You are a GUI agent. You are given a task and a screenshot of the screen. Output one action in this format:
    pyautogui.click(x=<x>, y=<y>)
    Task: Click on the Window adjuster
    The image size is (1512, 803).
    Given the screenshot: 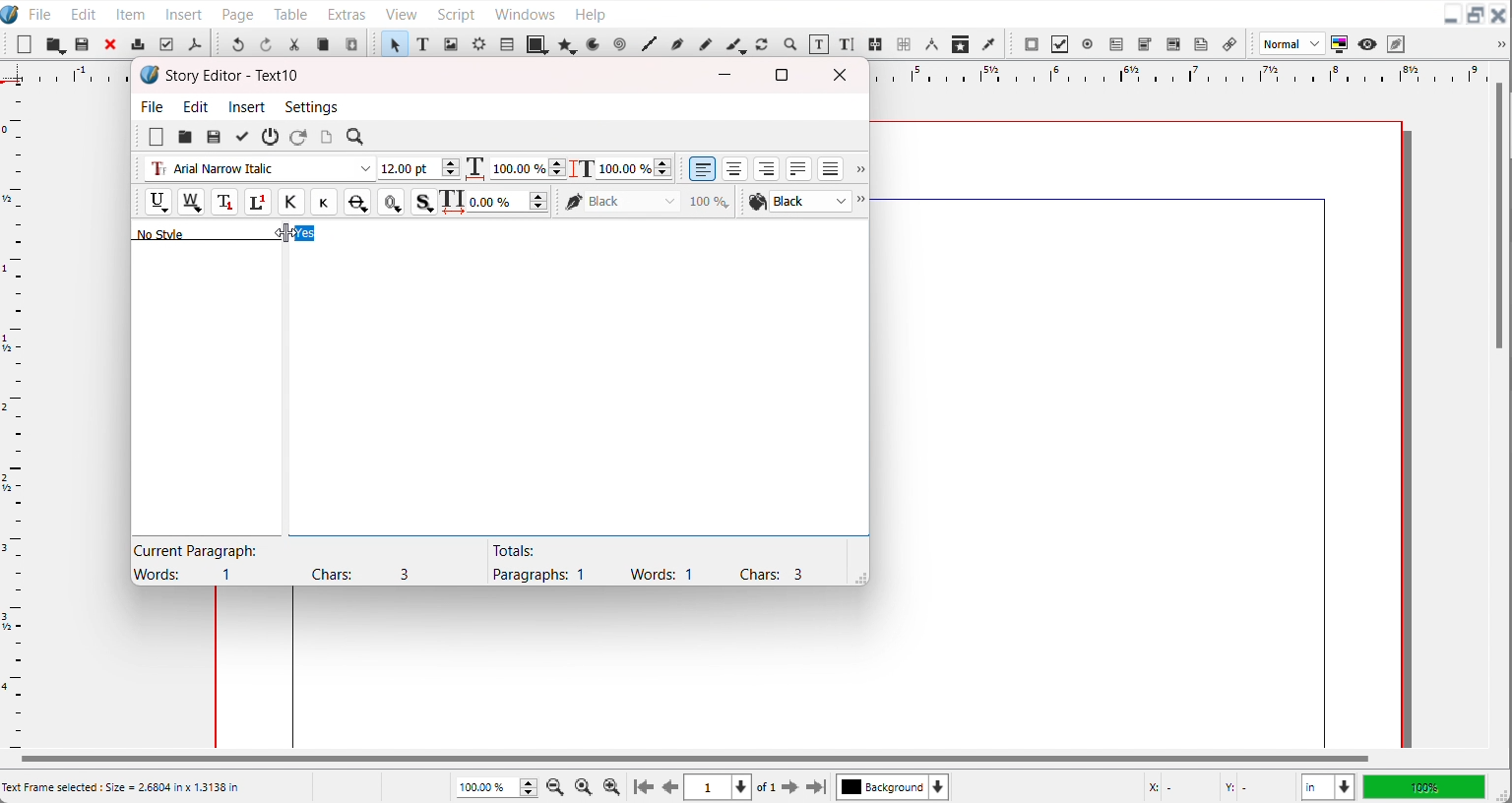 What is the action you would take?
    pyautogui.click(x=857, y=577)
    